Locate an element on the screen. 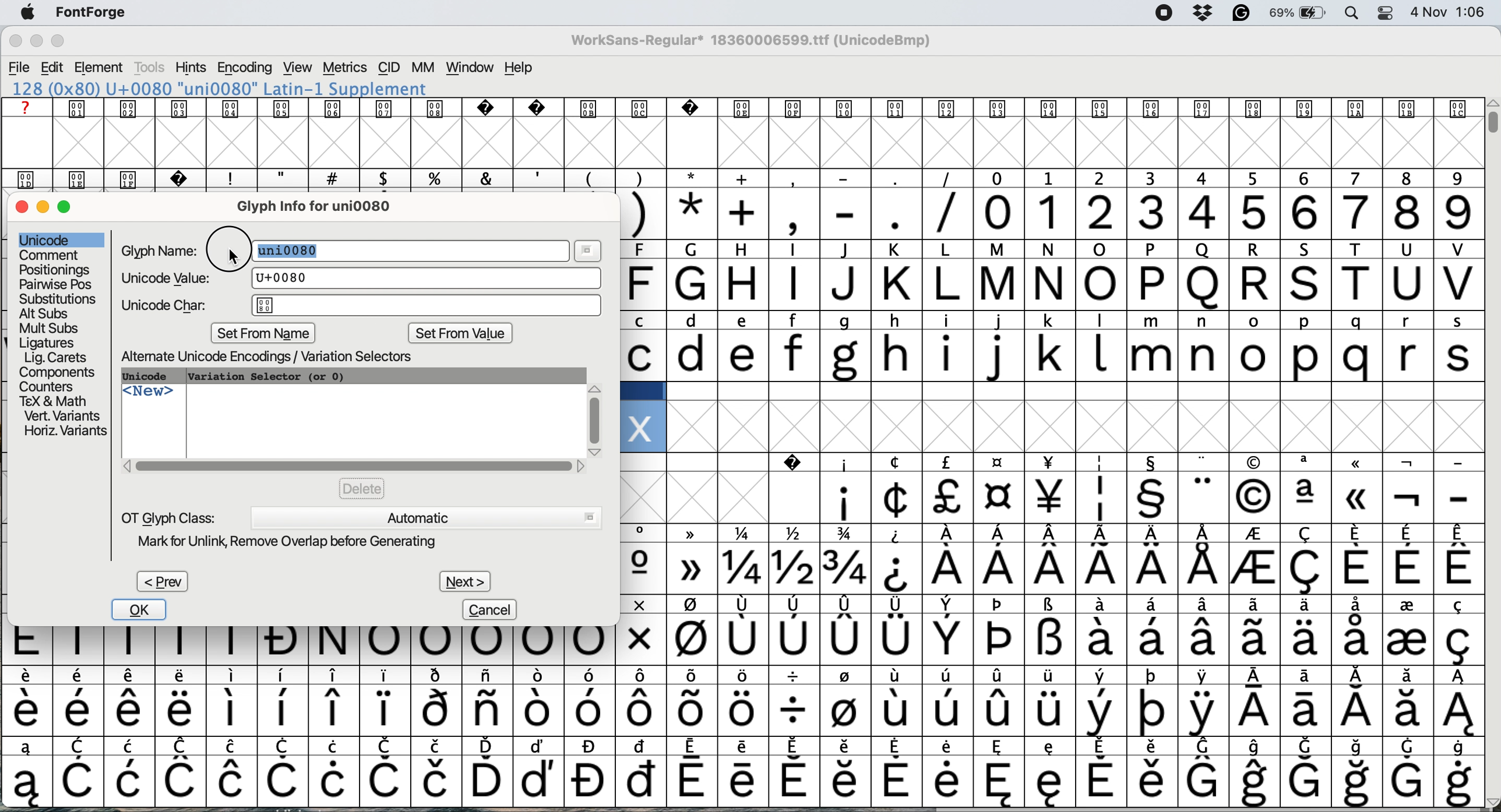 The height and width of the screenshot is (812, 1501). special characters is located at coordinates (1053, 606).